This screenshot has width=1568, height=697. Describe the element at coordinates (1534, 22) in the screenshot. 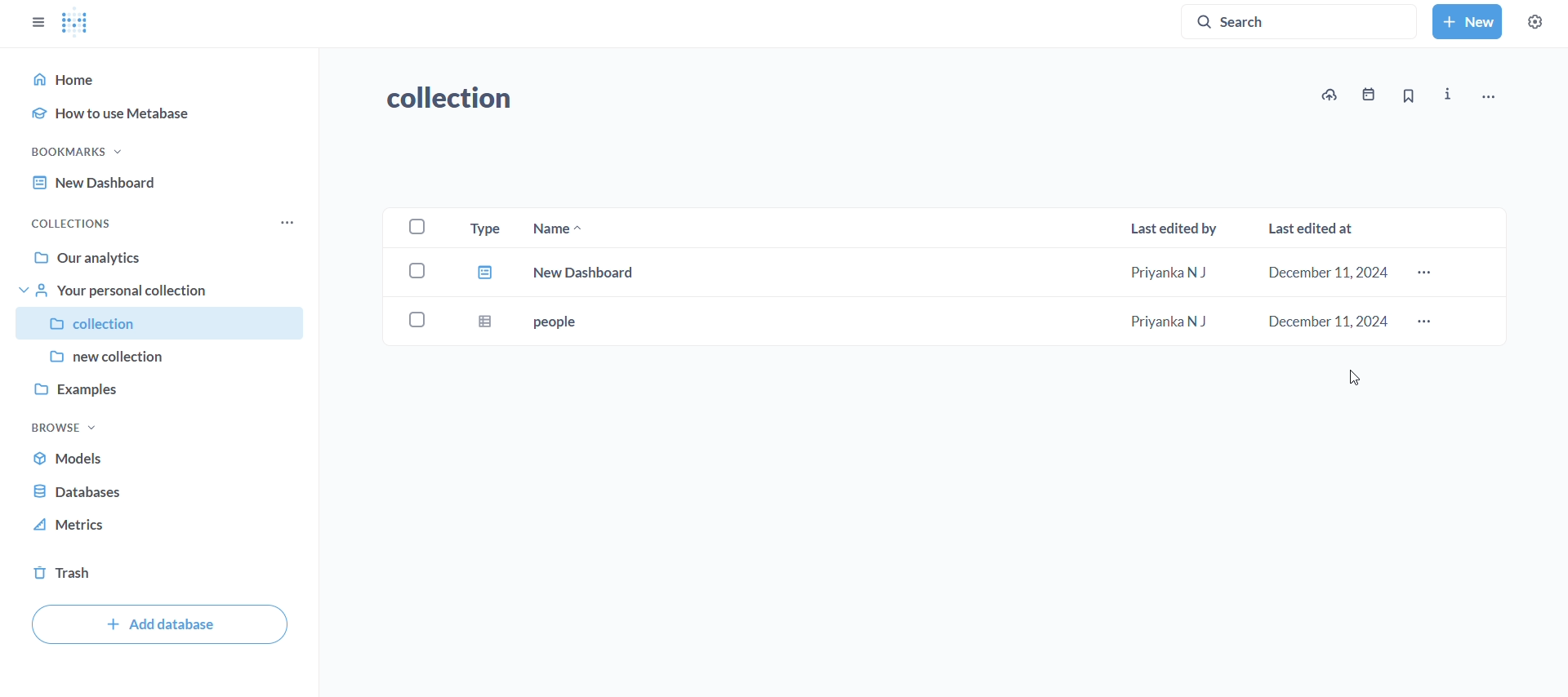

I see `settings` at that location.